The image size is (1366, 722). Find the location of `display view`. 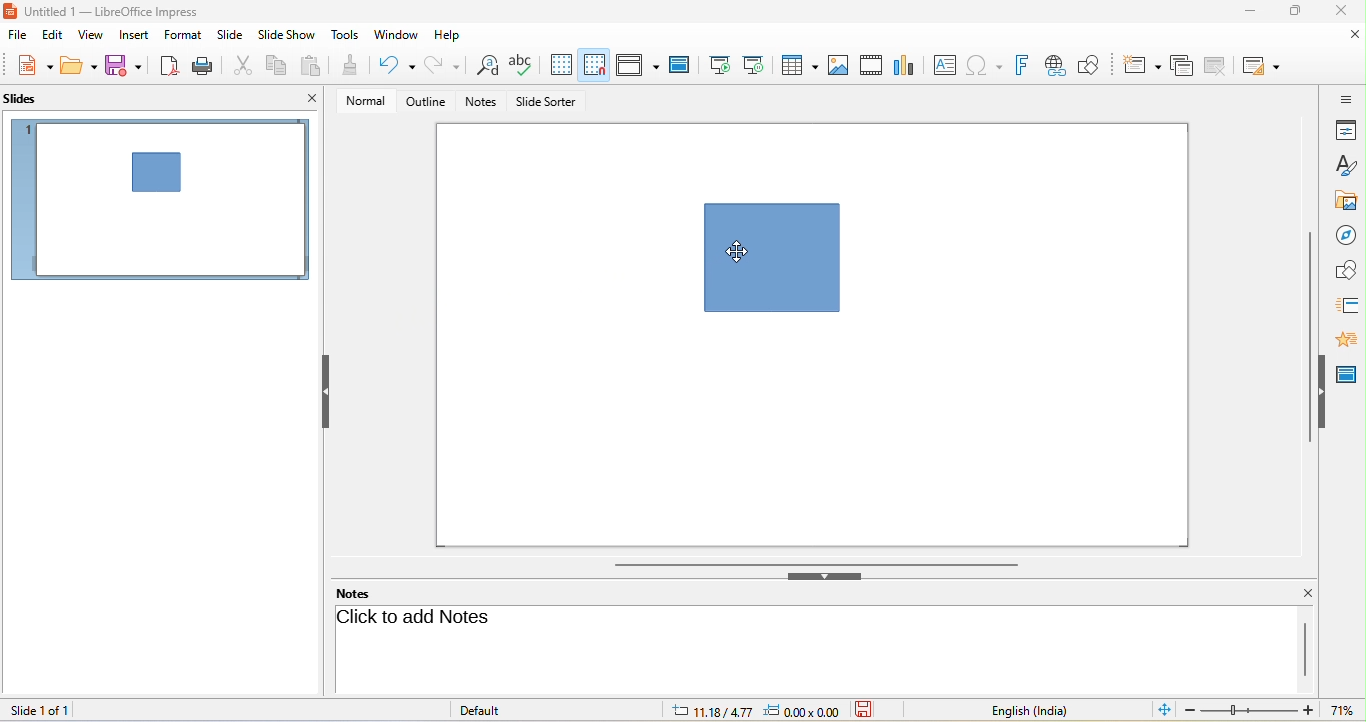

display view is located at coordinates (637, 64).